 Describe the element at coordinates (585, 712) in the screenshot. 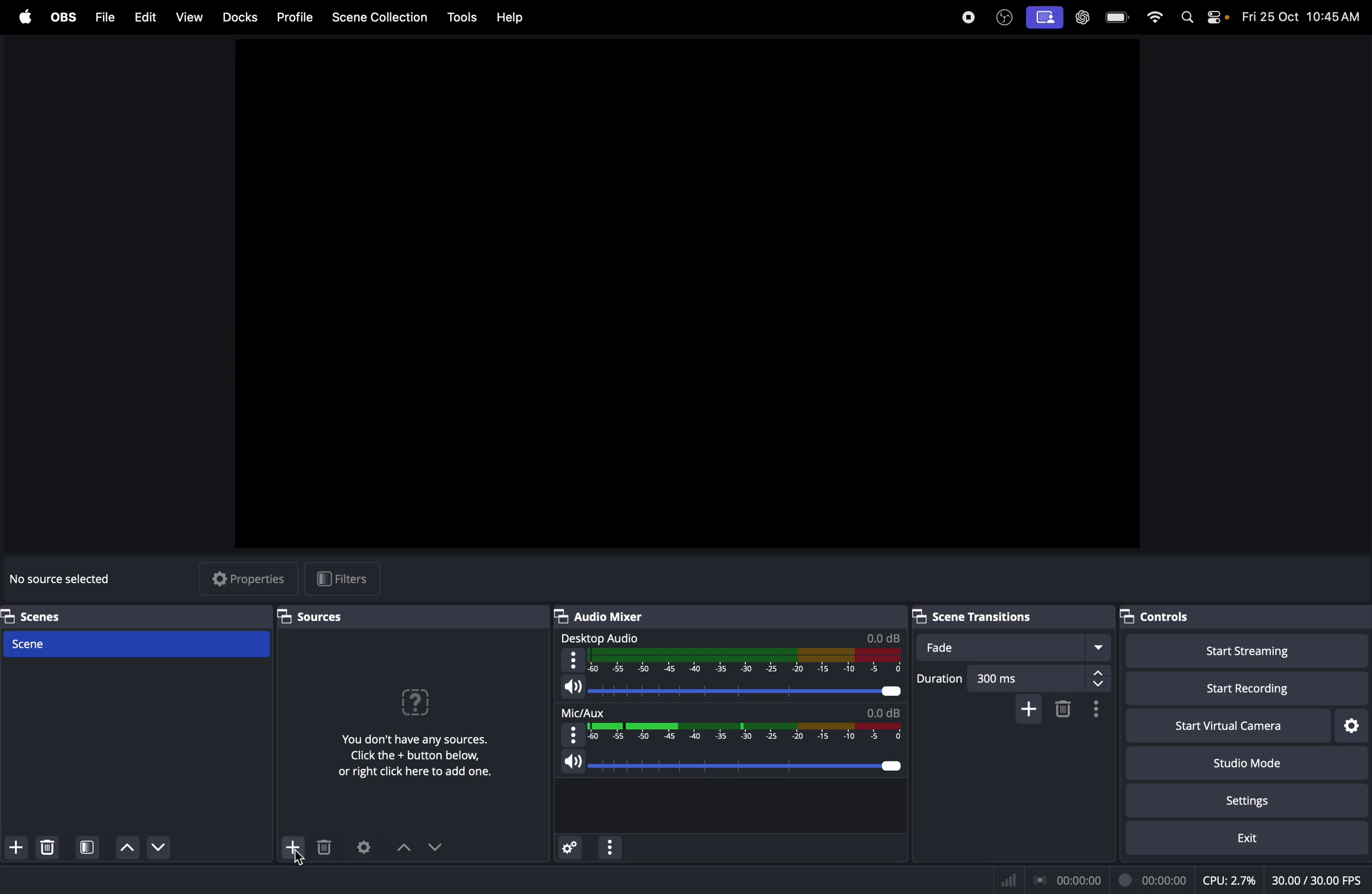

I see `mic aux` at that location.